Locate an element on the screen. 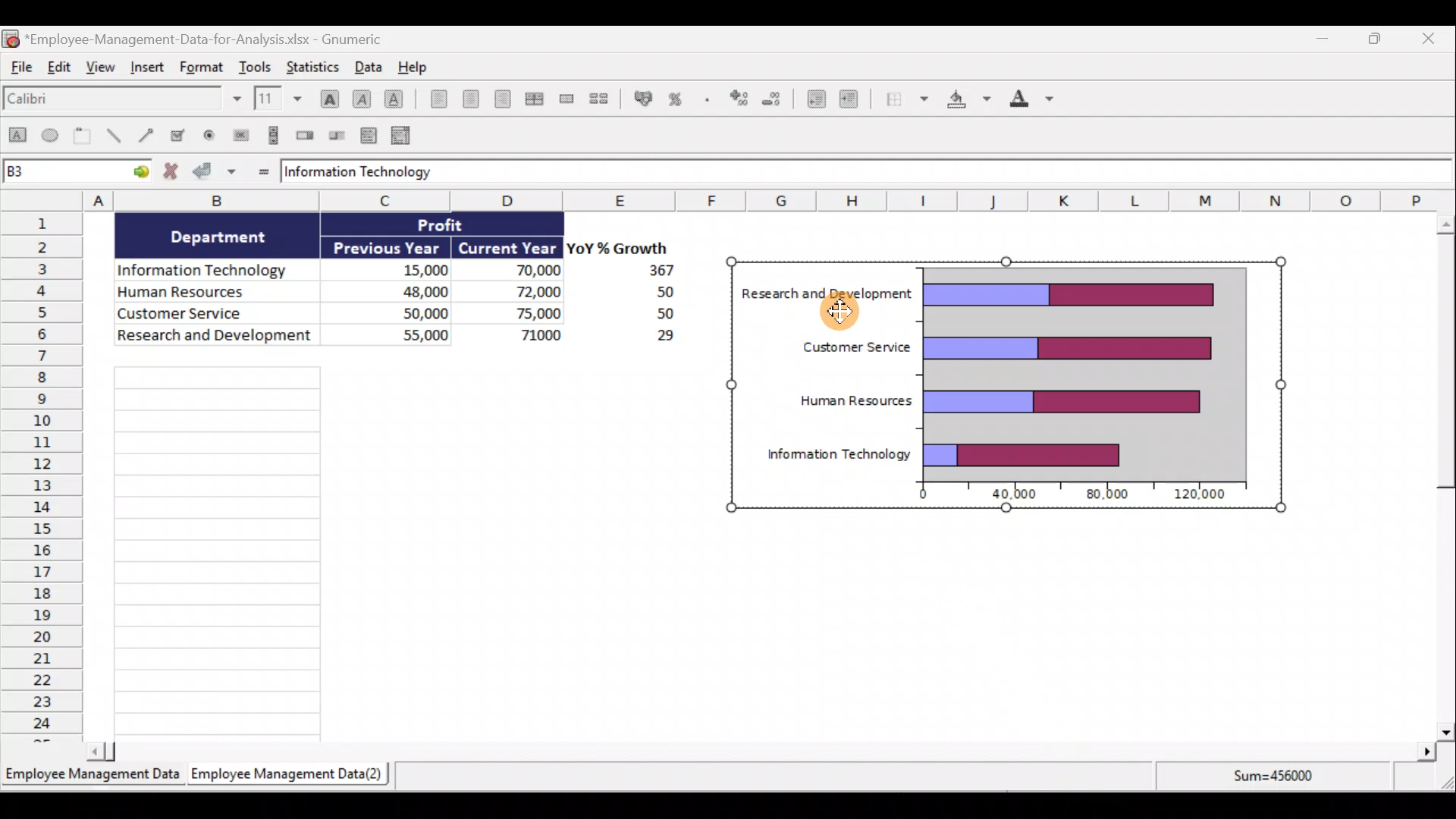 The width and height of the screenshot is (1456, 819). 367 is located at coordinates (656, 271).